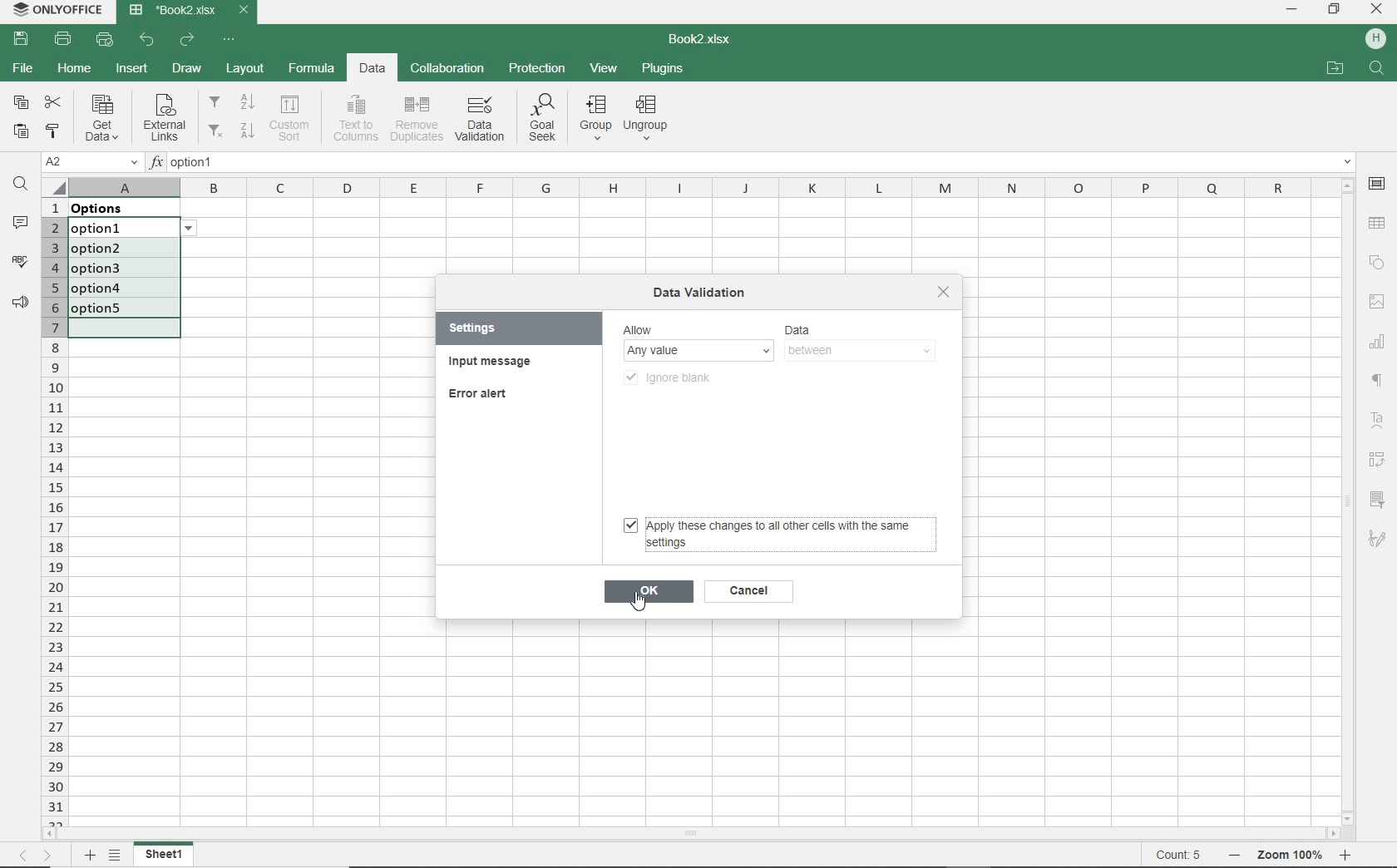 Image resolution: width=1397 pixels, height=868 pixels. Describe the element at coordinates (639, 606) in the screenshot. I see `Cursor` at that location.